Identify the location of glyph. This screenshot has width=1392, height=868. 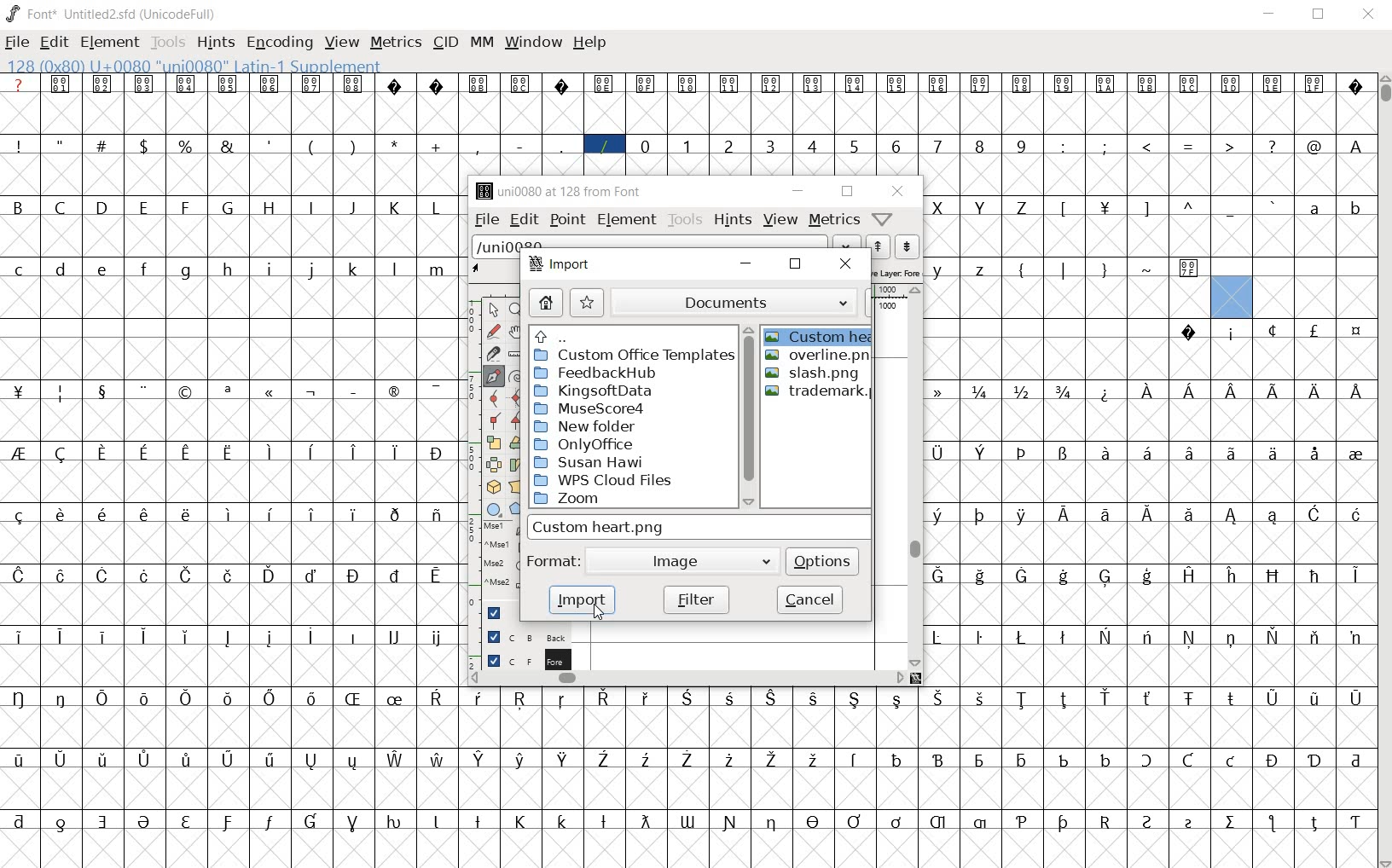
(270, 514).